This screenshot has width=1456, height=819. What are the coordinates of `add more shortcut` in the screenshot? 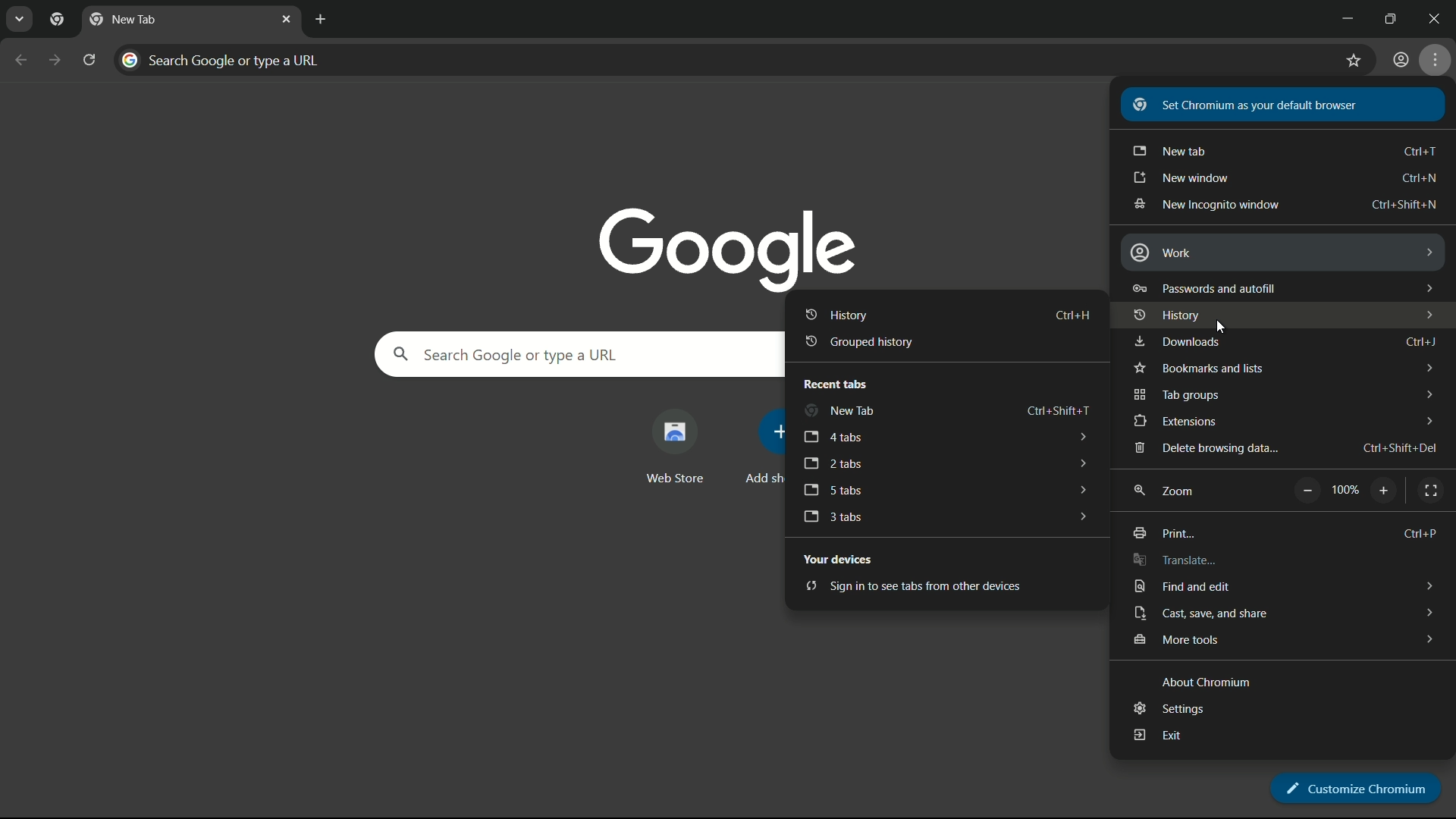 It's located at (763, 448).